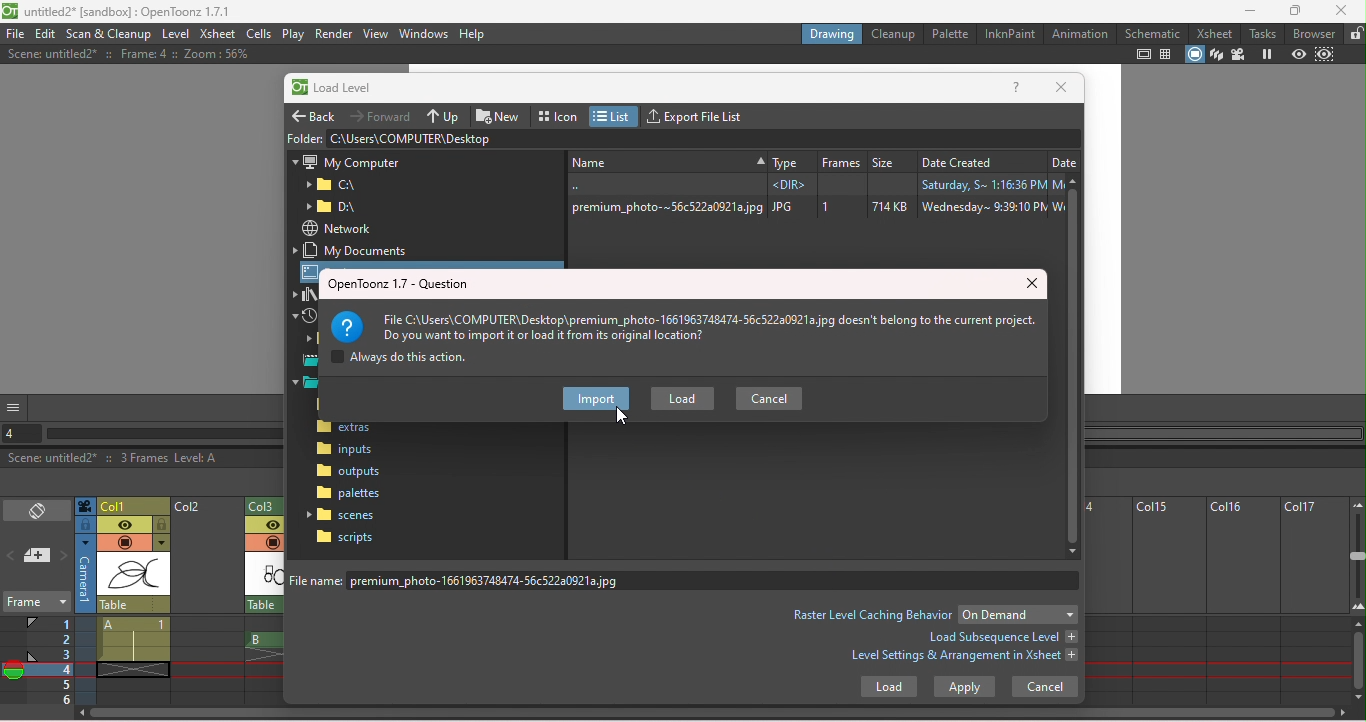 This screenshot has height=722, width=1366. Describe the element at coordinates (207, 602) in the screenshot. I see `column 2` at that location.